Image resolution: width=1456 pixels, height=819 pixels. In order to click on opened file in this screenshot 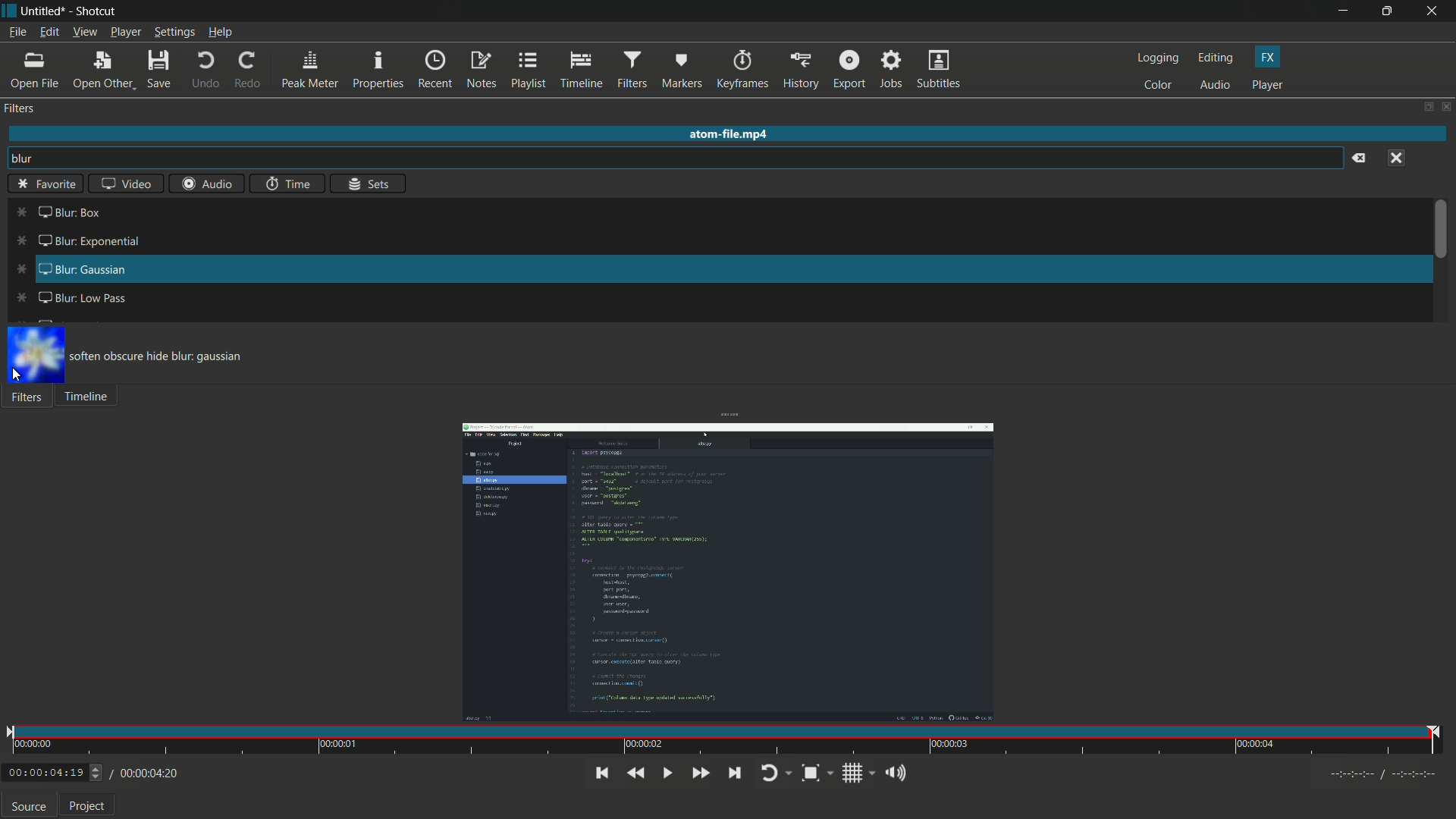, I will do `click(726, 572)`.